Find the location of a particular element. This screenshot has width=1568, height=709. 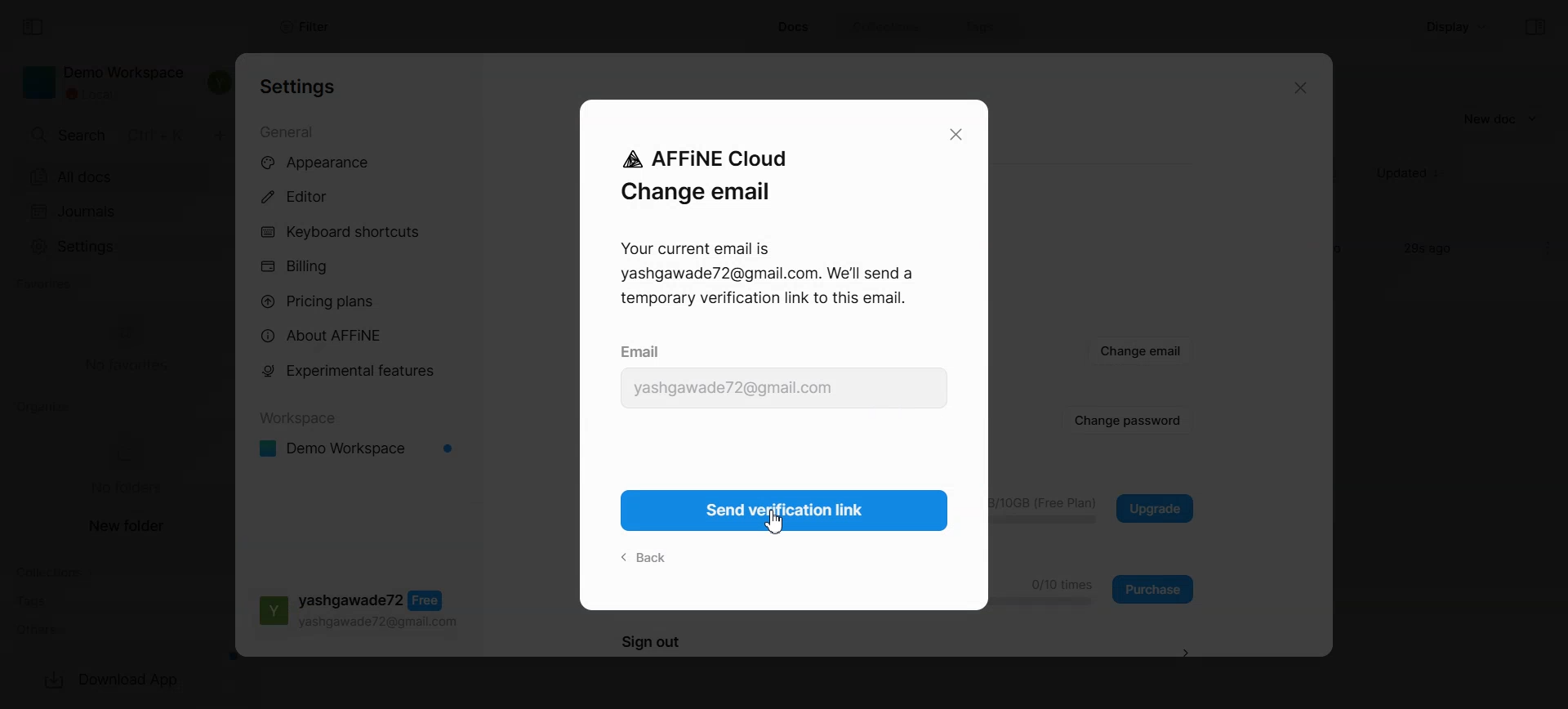

Close window is located at coordinates (956, 136).